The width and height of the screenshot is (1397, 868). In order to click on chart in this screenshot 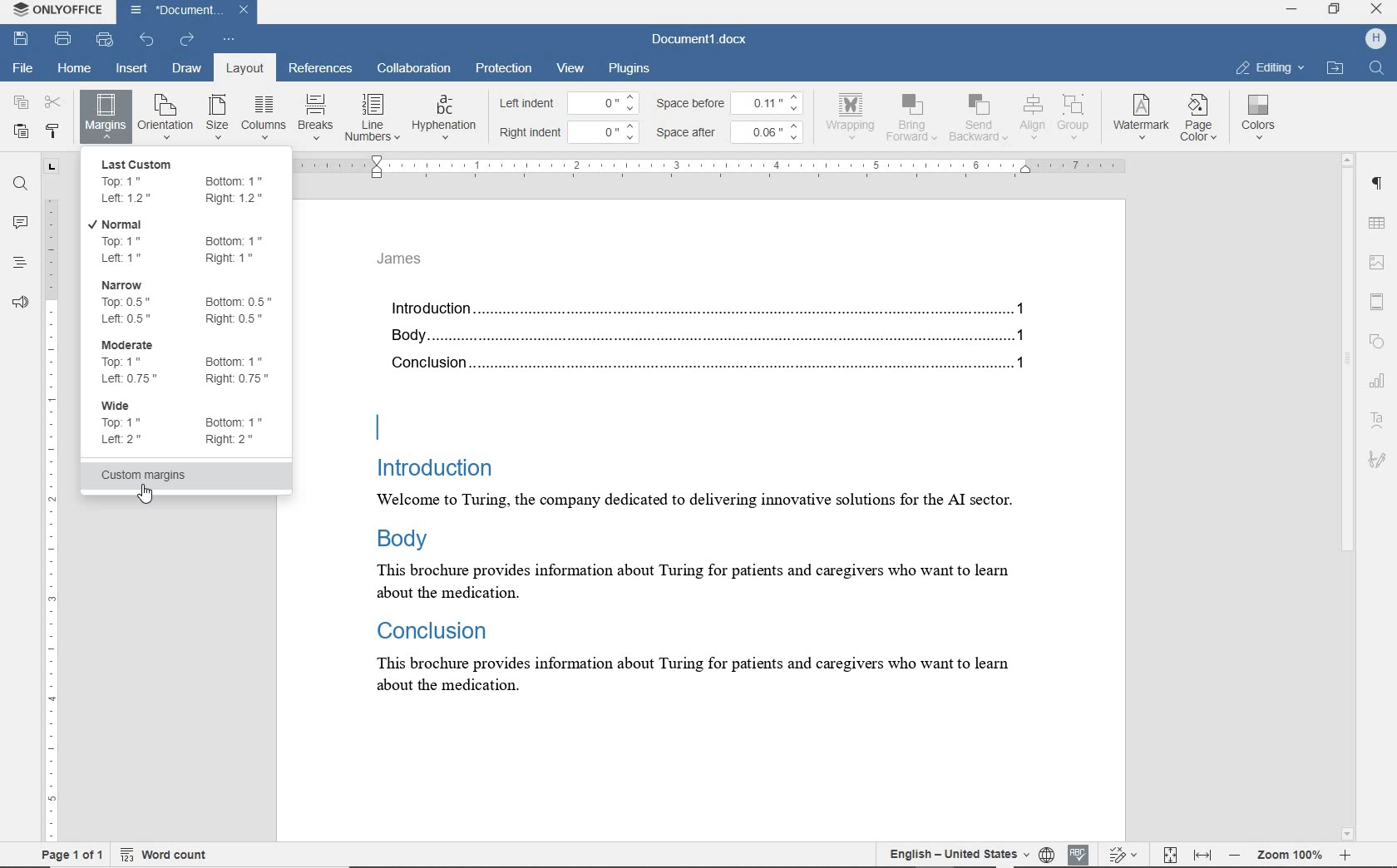, I will do `click(1380, 384)`.